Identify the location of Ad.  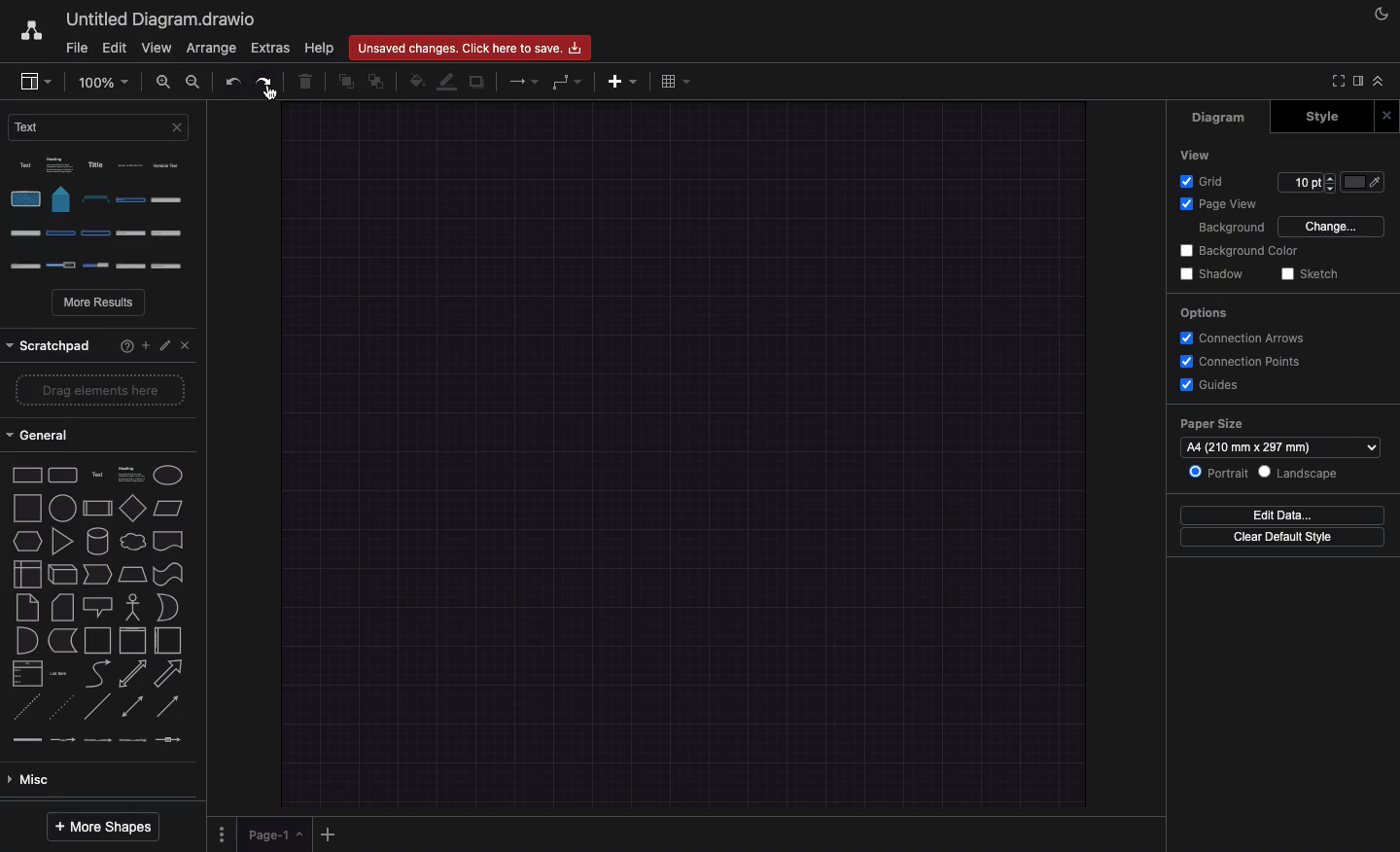
(624, 81).